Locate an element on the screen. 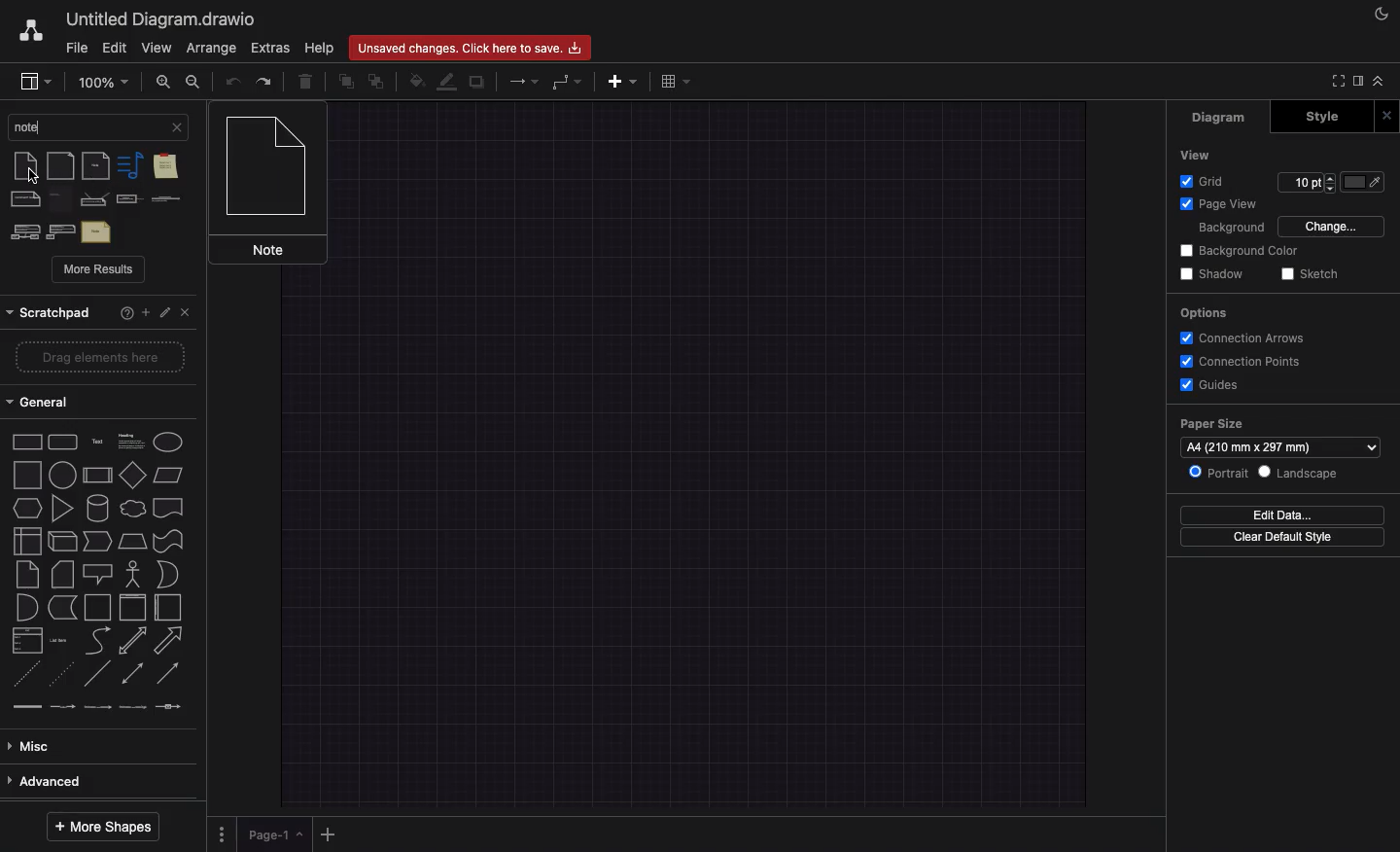 This screenshot has height=852, width=1400. File is located at coordinates (77, 49).